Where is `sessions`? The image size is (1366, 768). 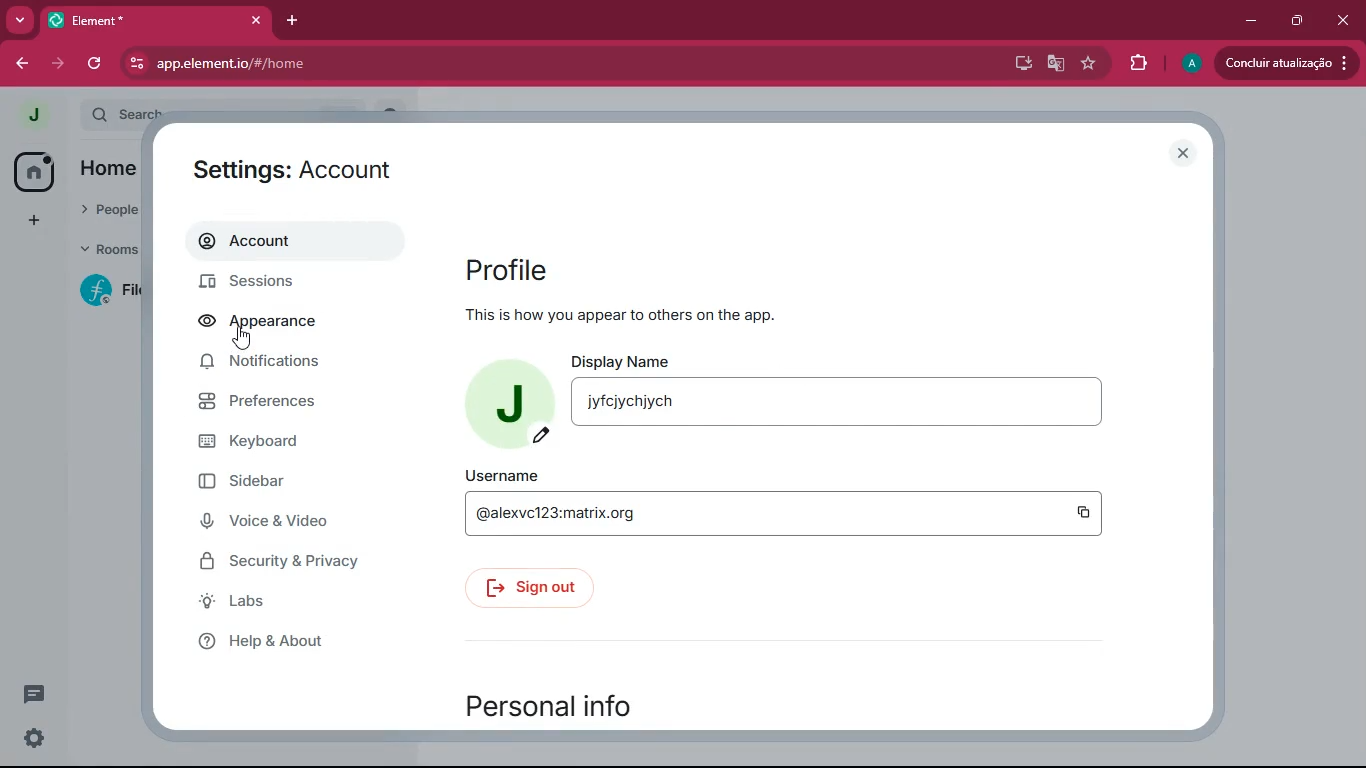
sessions is located at coordinates (266, 283).